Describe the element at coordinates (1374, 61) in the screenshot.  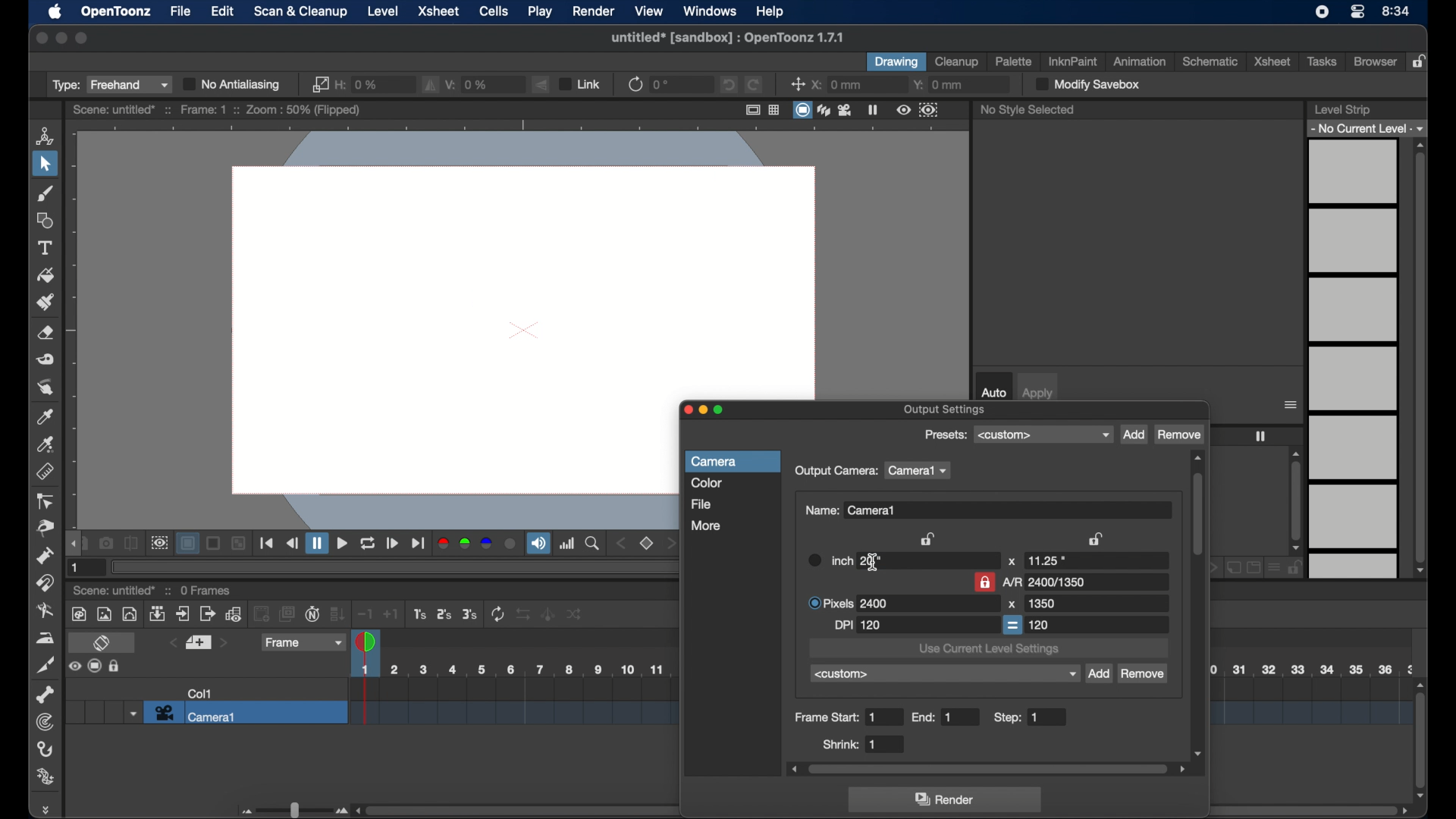
I see `browser` at that location.